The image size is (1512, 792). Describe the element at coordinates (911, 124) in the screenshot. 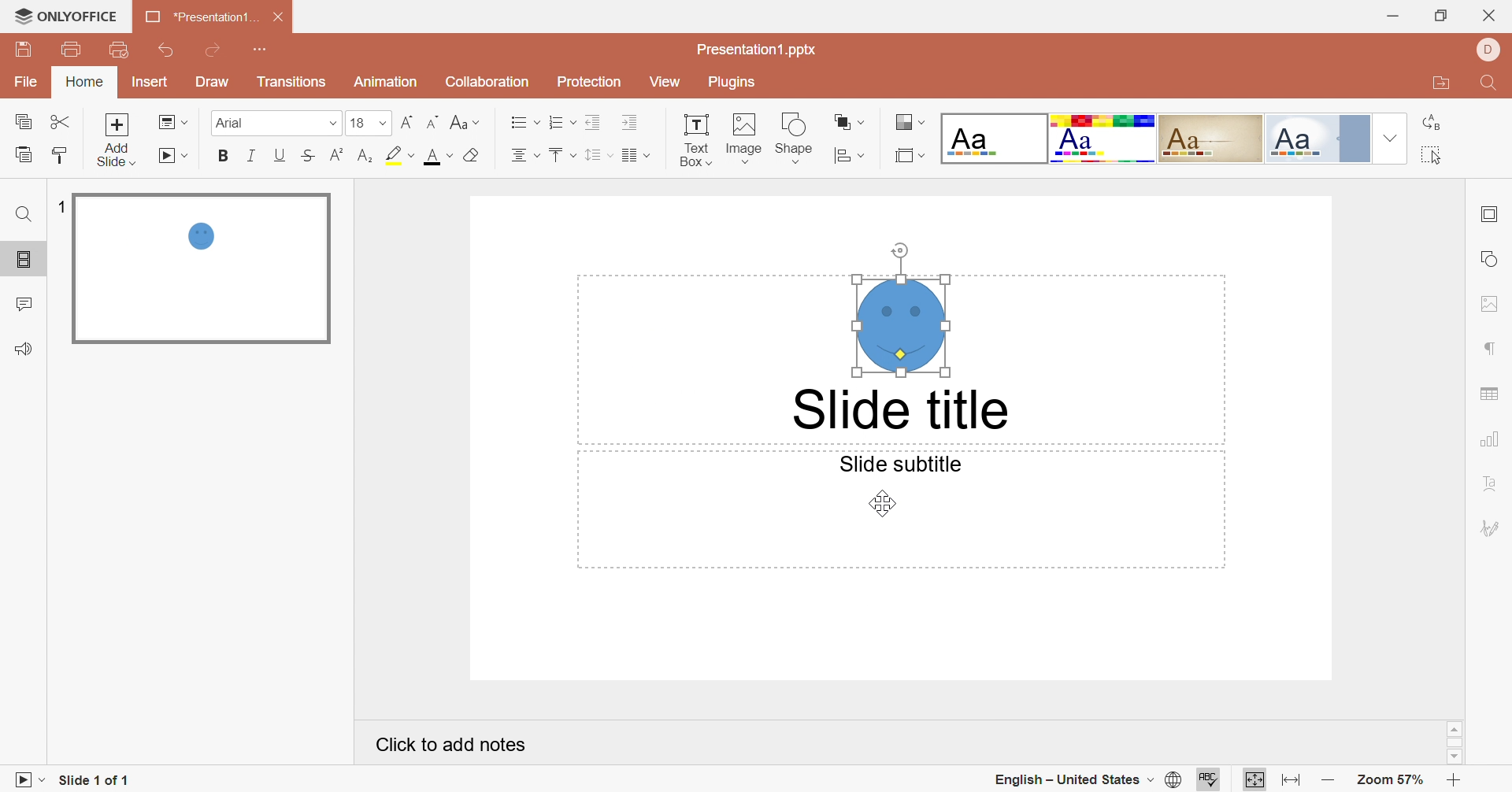

I see `Change color settings` at that location.